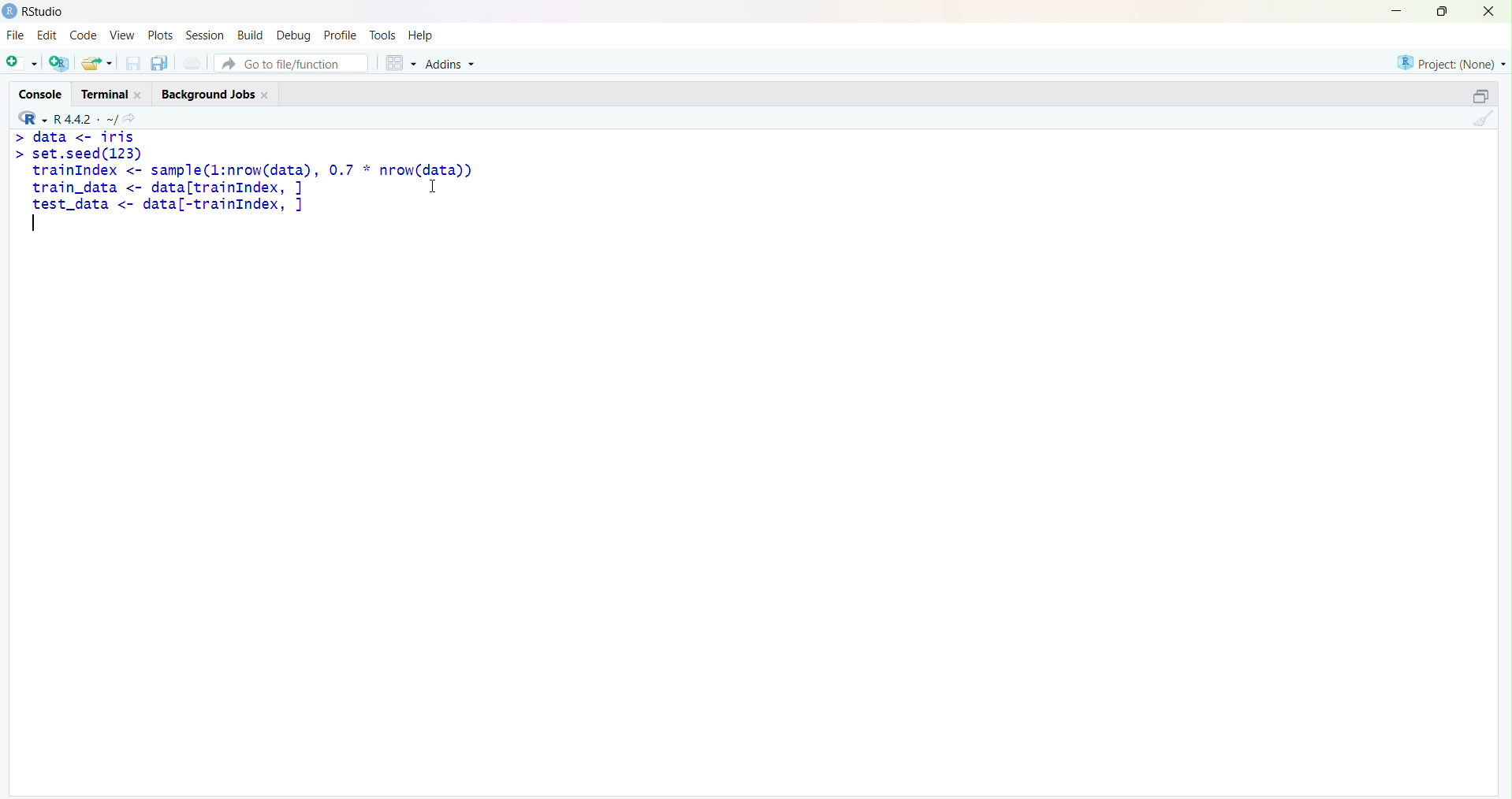 This screenshot has height=799, width=1512. I want to click on Clear console (Ctrl + L), so click(1481, 120).